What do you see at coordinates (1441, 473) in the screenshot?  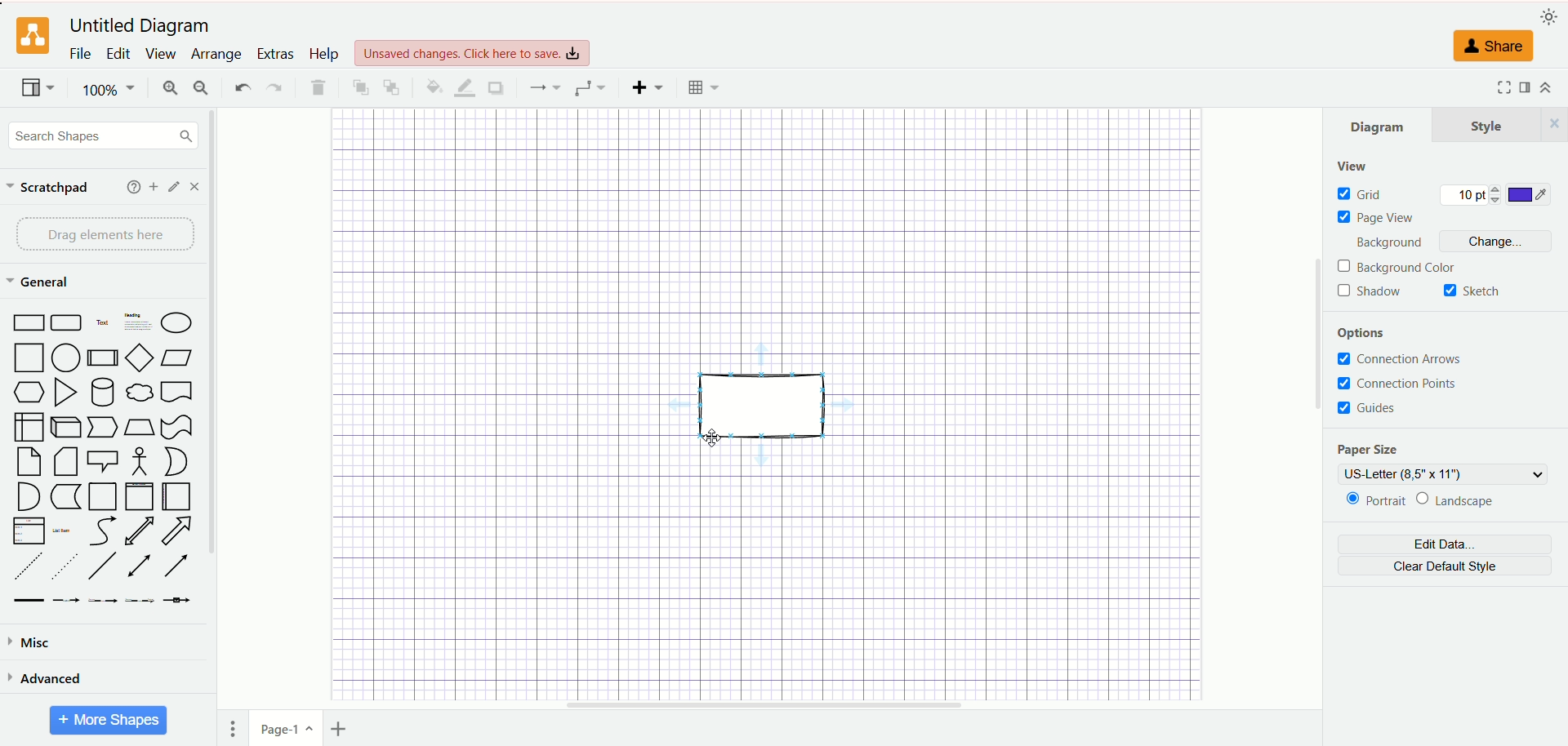 I see `US-letter (8.5" x 11")` at bounding box center [1441, 473].